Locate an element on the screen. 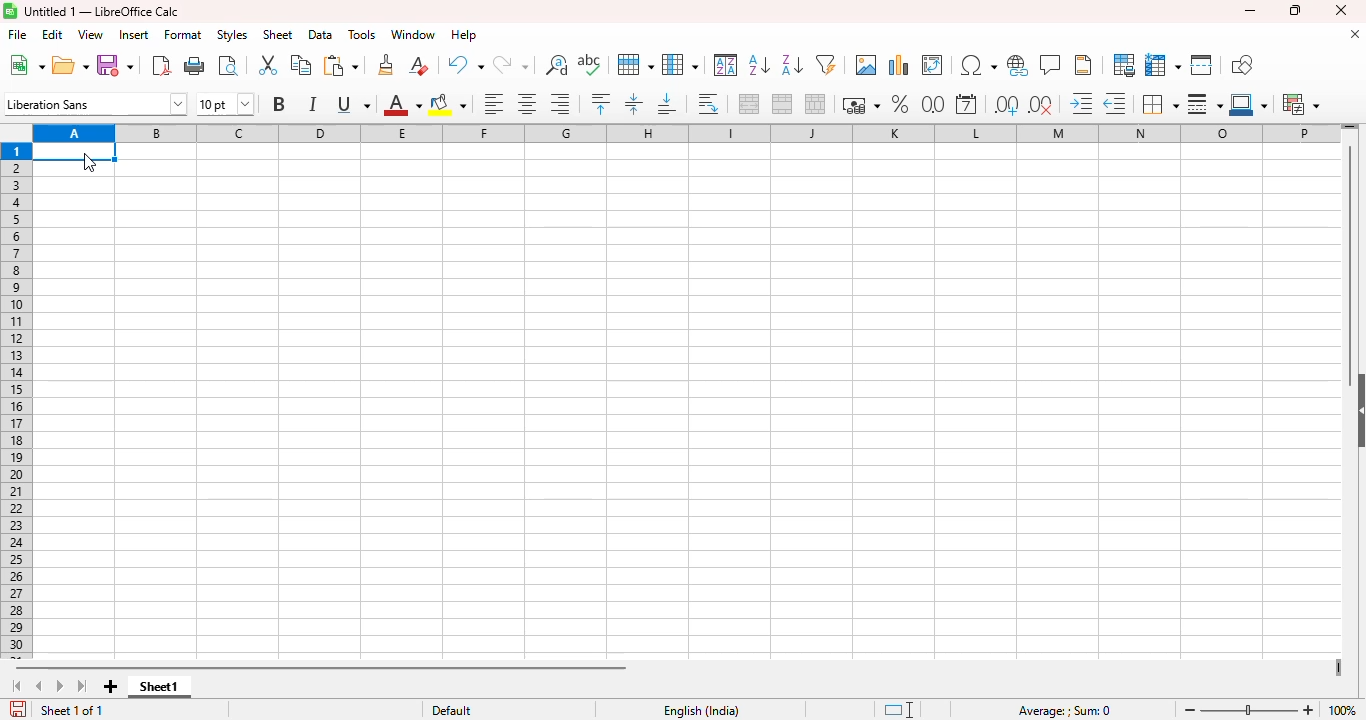  increase indent is located at coordinates (1081, 103).